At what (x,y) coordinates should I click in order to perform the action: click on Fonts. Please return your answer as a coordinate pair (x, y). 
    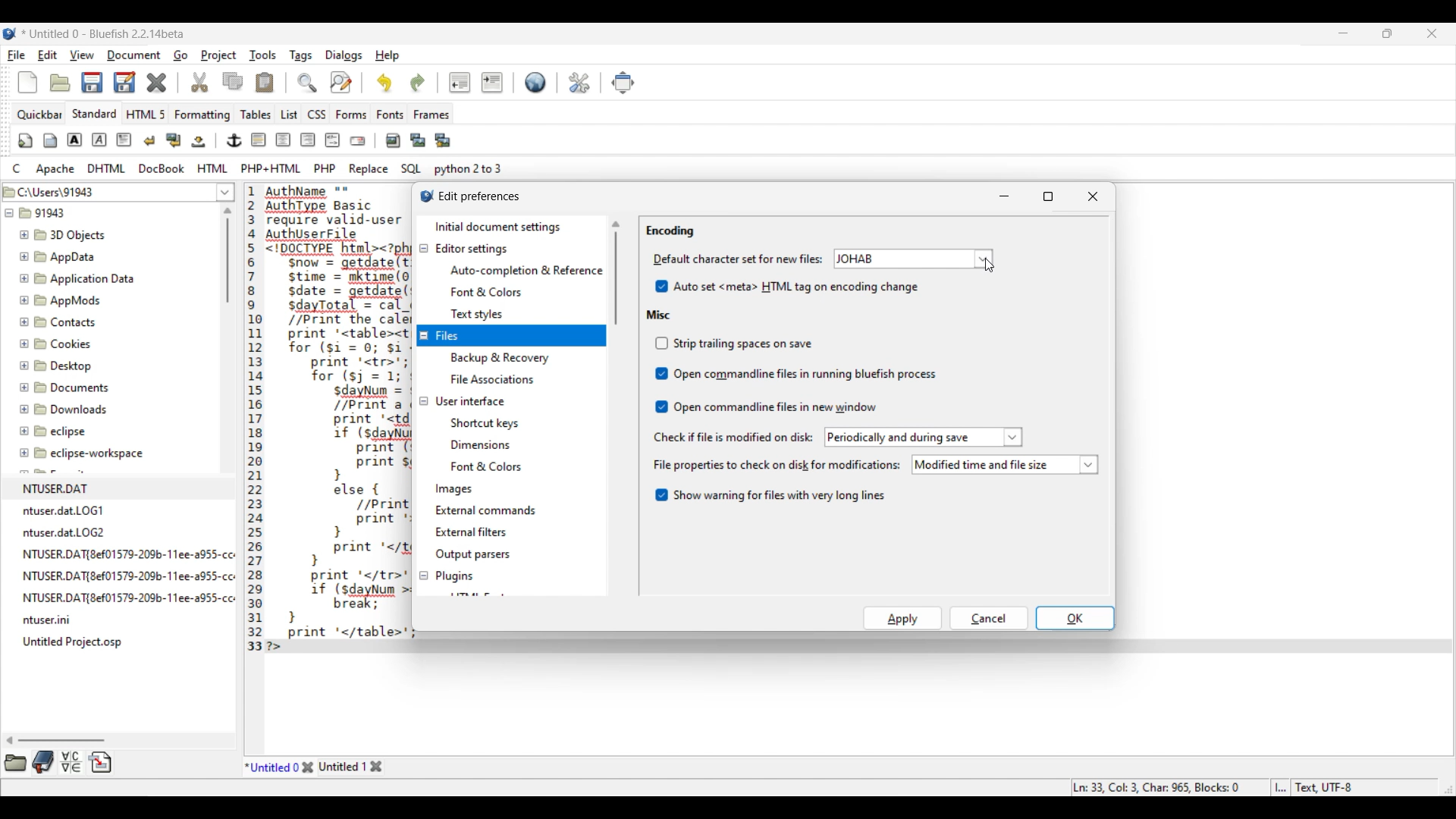
    Looking at the image, I should click on (391, 115).